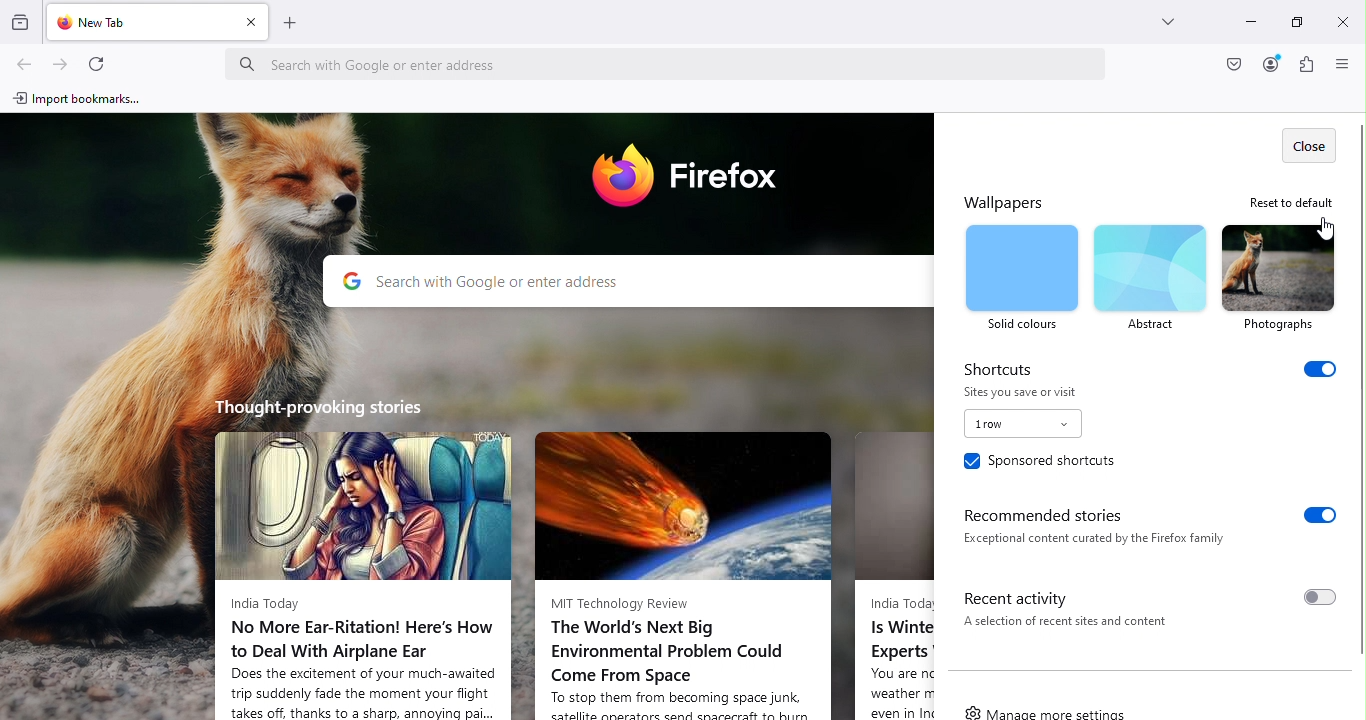 The width and height of the screenshot is (1366, 720). I want to click on New articles, so click(363, 557).